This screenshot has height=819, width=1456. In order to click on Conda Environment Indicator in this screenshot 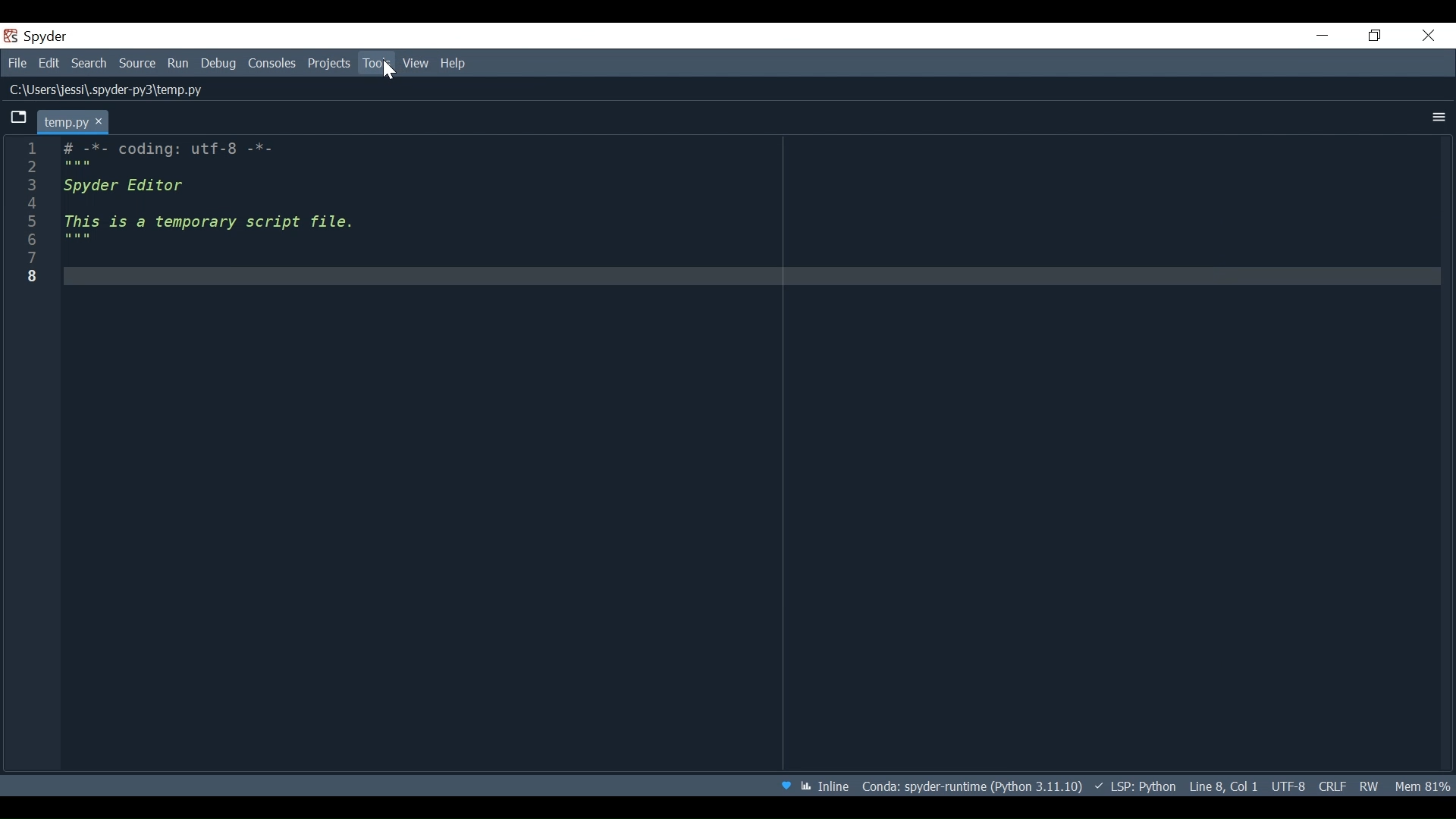, I will do `click(970, 786)`.